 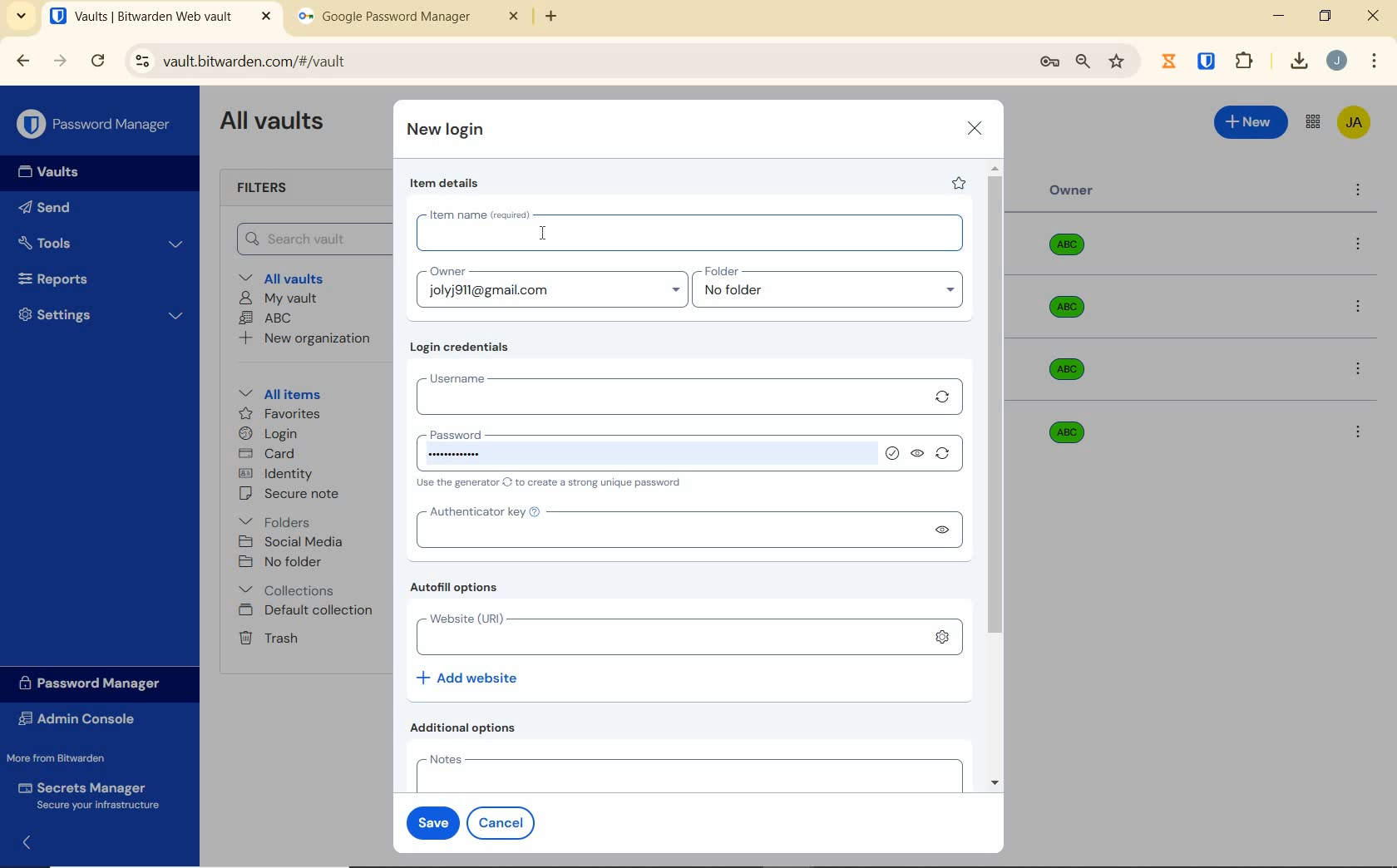 What do you see at coordinates (685, 230) in the screenshot?
I see `Item name` at bounding box center [685, 230].